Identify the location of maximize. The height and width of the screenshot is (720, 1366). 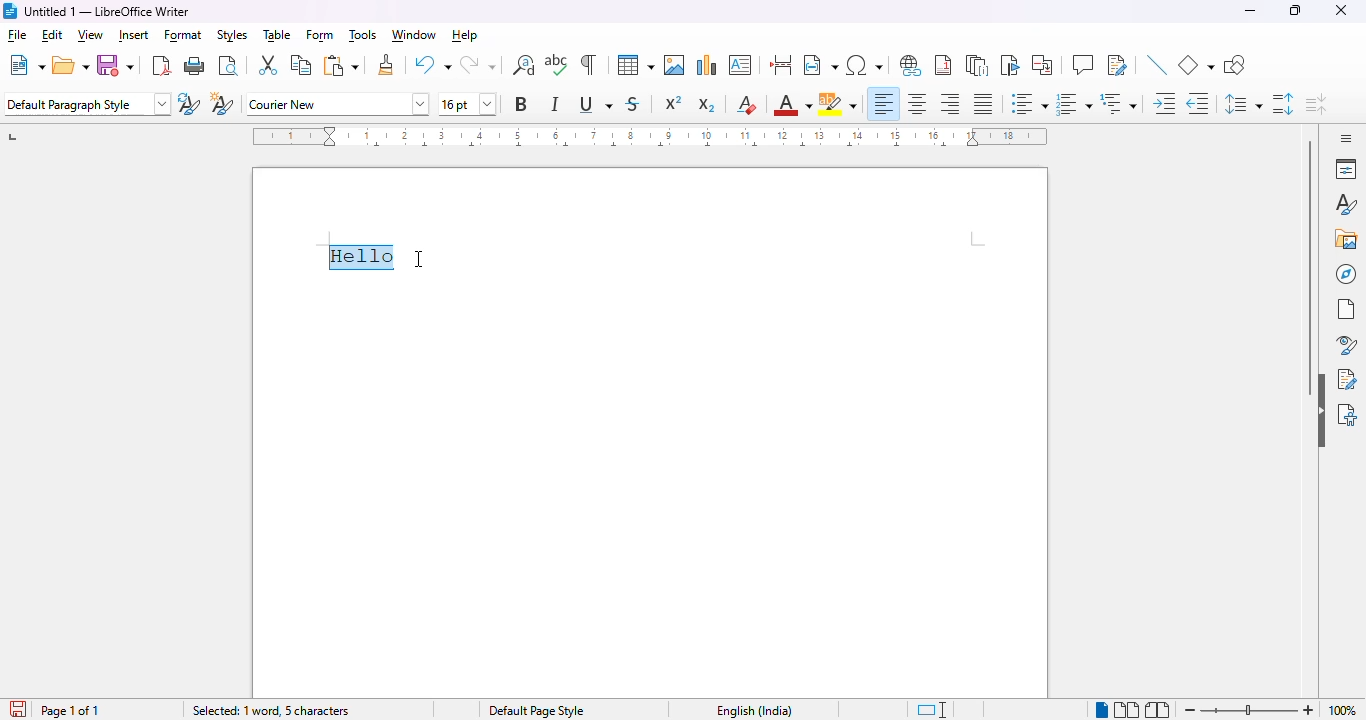
(1295, 10).